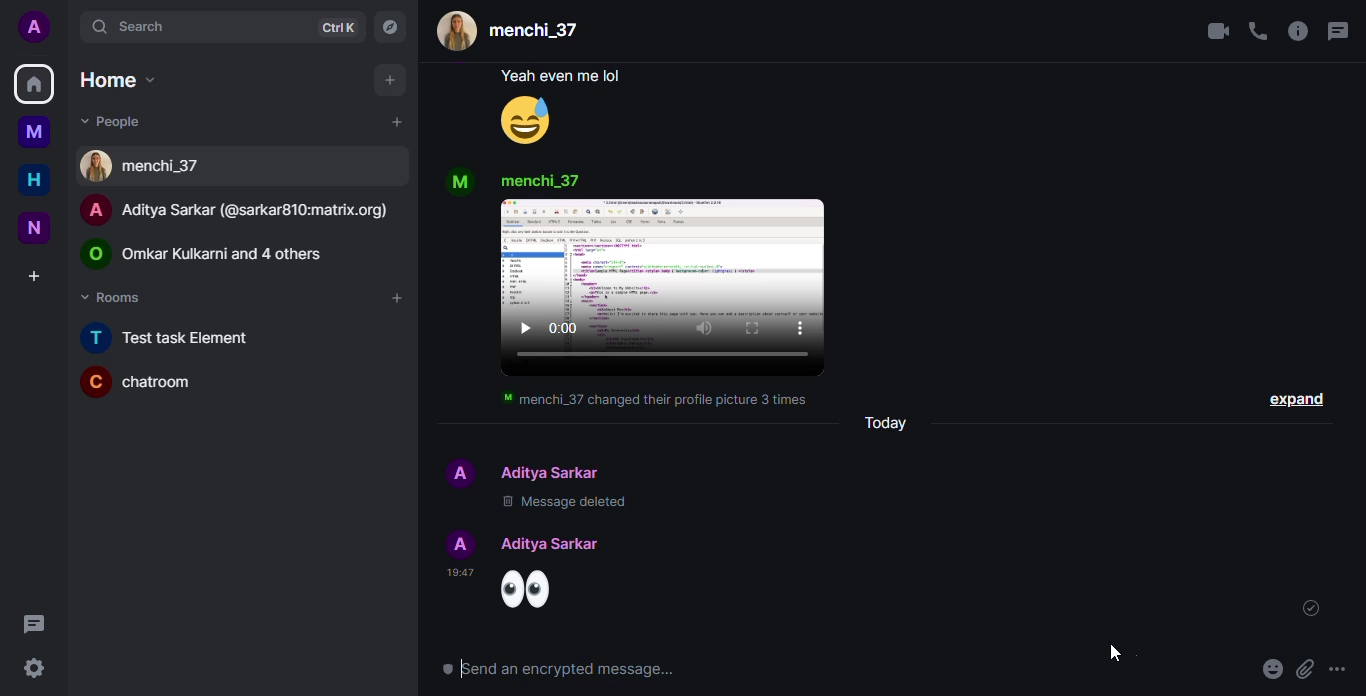 The width and height of the screenshot is (1366, 696). Describe the element at coordinates (34, 27) in the screenshot. I see `profile` at that location.